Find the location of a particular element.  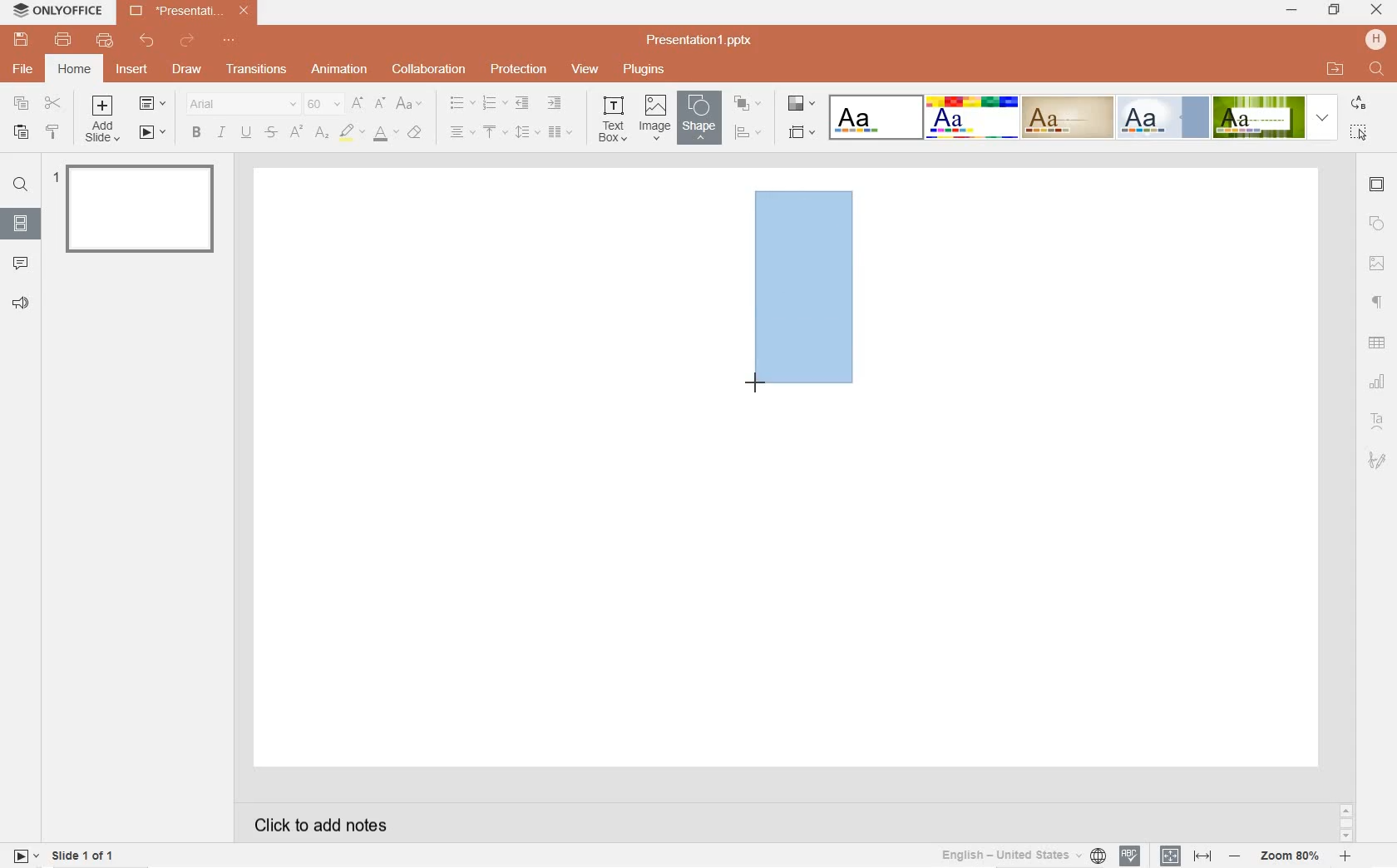

increment font size is located at coordinates (358, 103).